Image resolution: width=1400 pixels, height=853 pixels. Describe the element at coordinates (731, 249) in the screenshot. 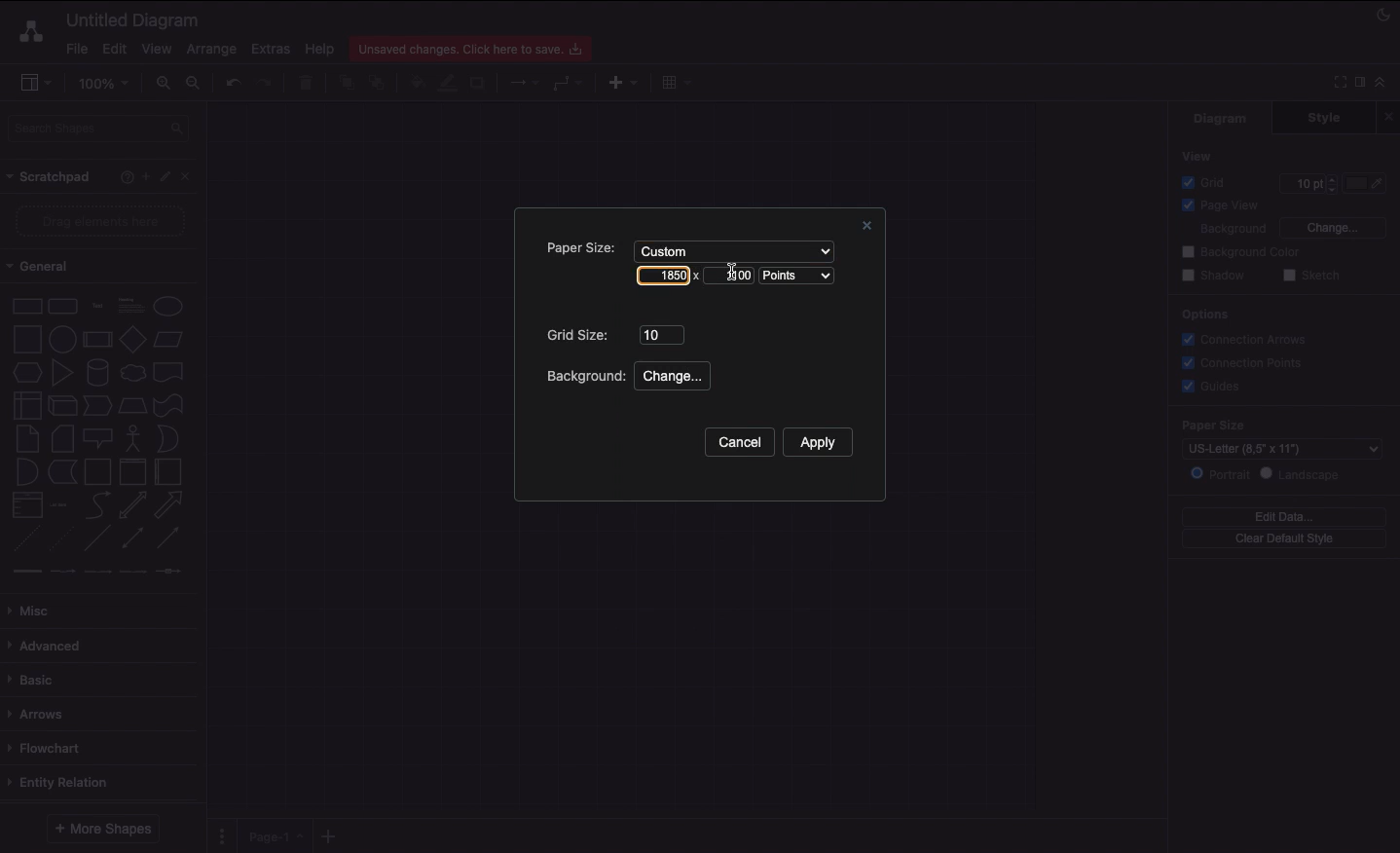

I see `Custom` at that location.